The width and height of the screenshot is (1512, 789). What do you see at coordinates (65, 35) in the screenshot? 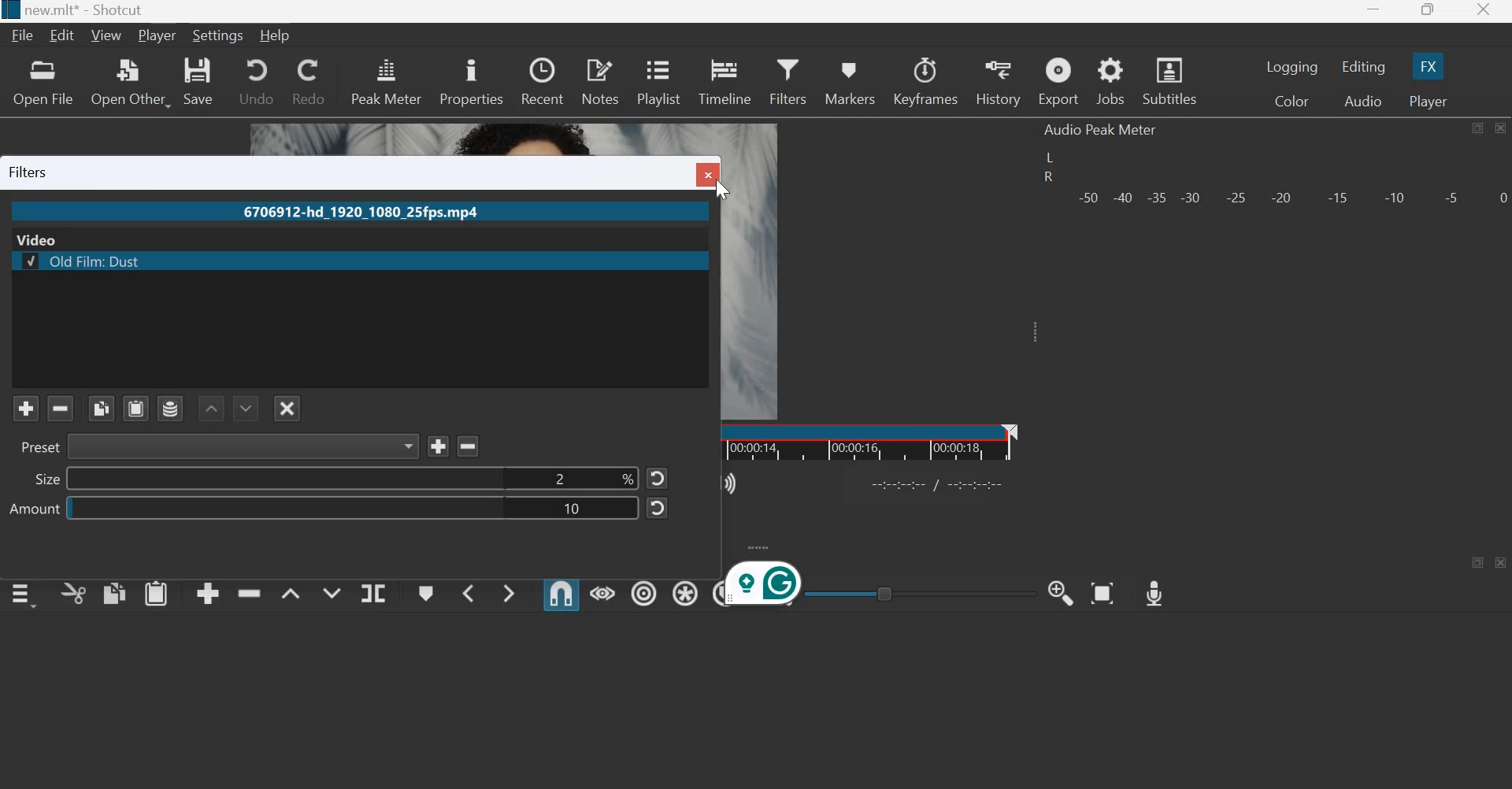
I see `Edit` at bounding box center [65, 35].